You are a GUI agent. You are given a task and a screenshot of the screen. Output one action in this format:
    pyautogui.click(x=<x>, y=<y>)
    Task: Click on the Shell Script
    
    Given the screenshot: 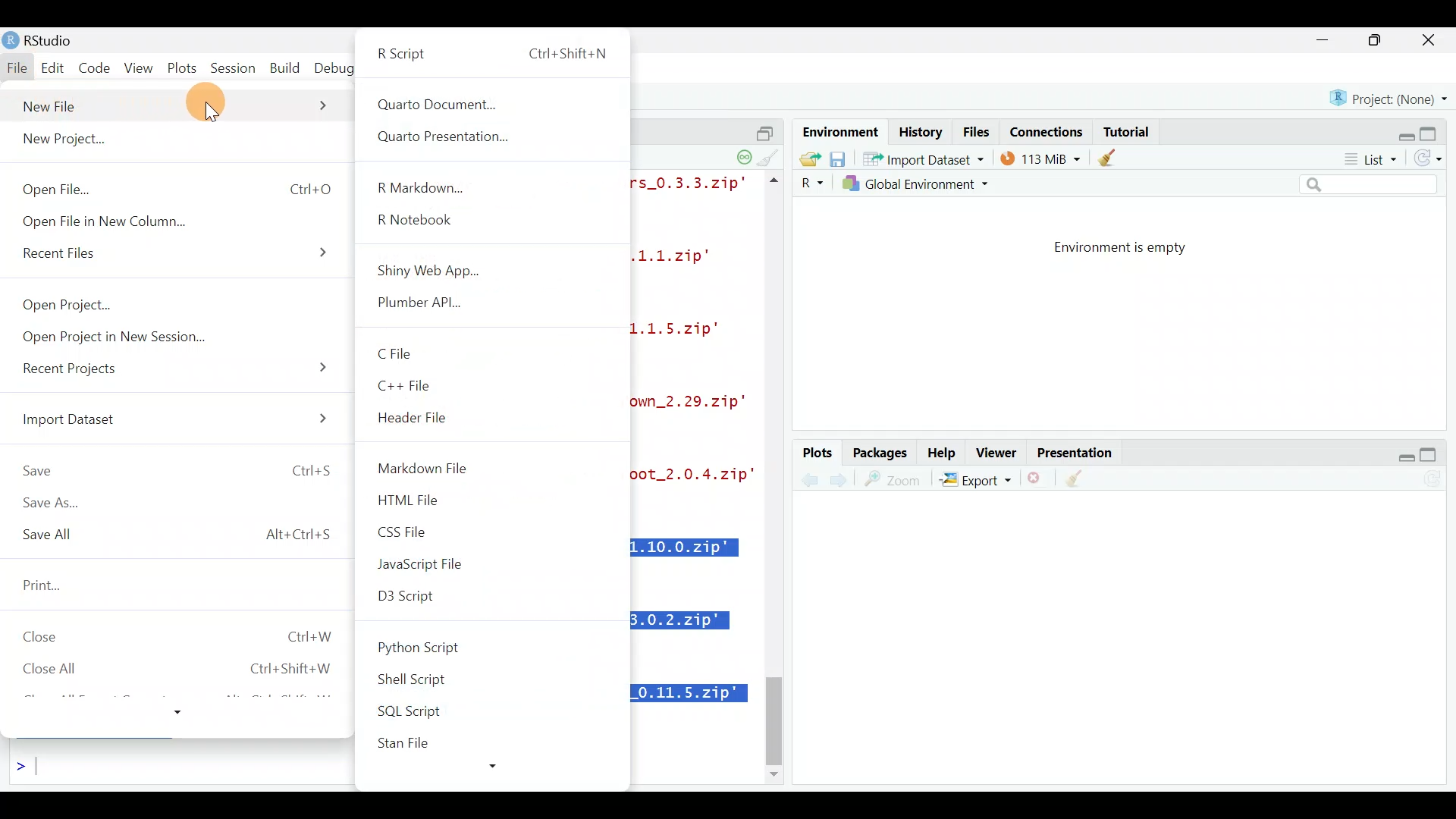 What is the action you would take?
    pyautogui.click(x=413, y=679)
    